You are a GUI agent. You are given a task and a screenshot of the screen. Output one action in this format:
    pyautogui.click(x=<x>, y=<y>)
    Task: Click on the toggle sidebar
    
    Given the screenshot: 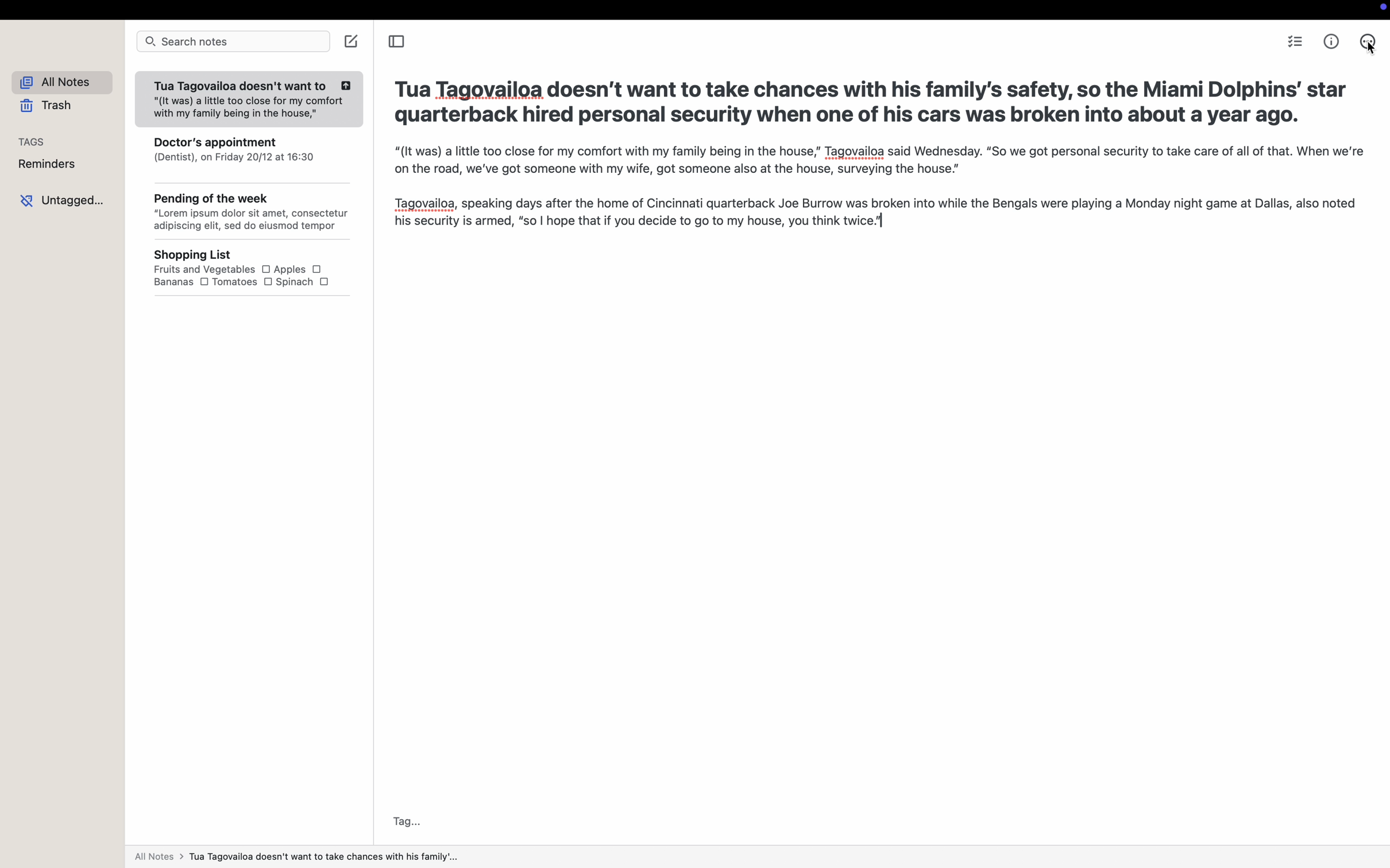 What is the action you would take?
    pyautogui.click(x=400, y=42)
    